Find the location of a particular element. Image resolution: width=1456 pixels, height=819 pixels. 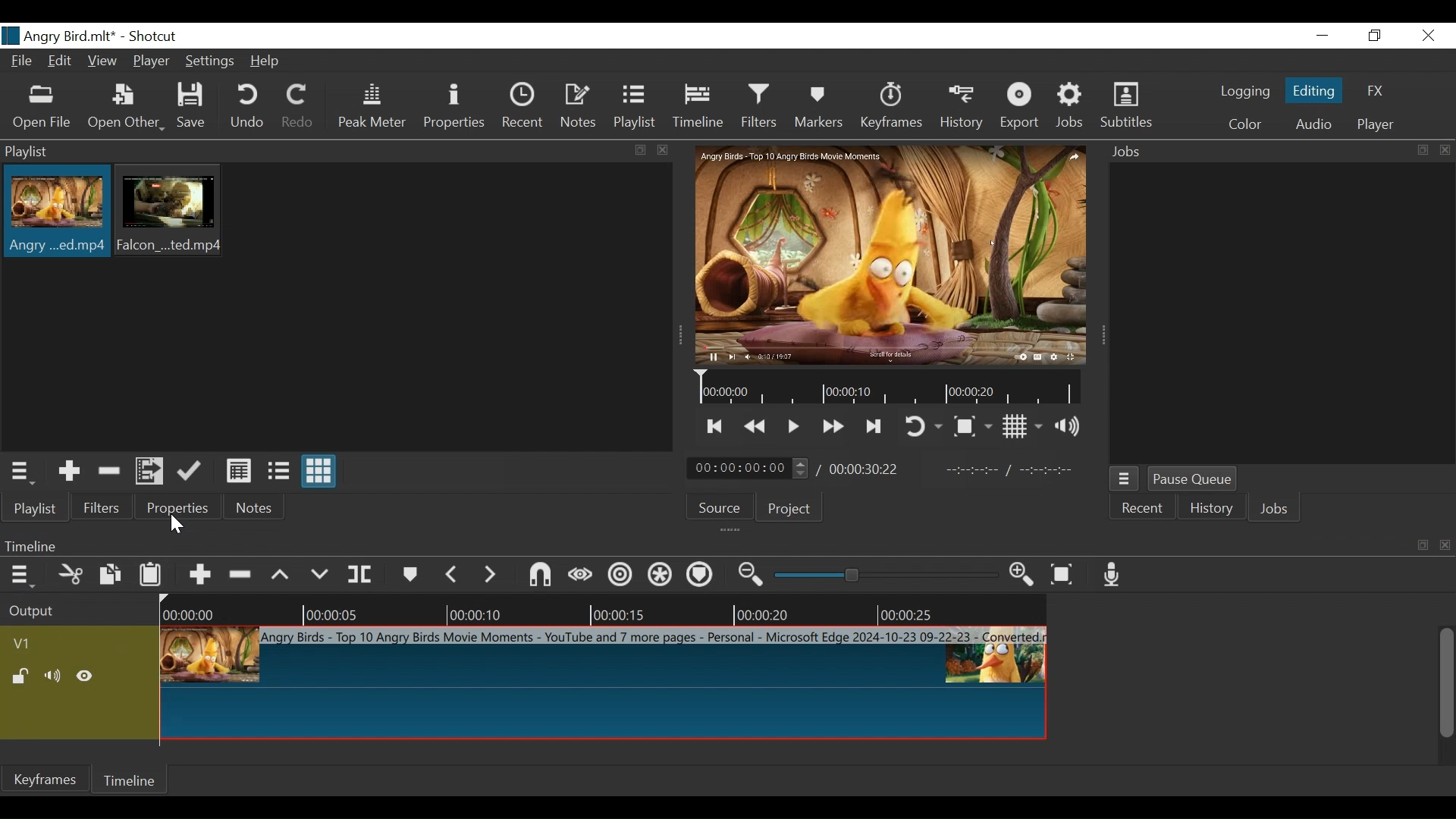

In Point is located at coordinates (1012, 471).